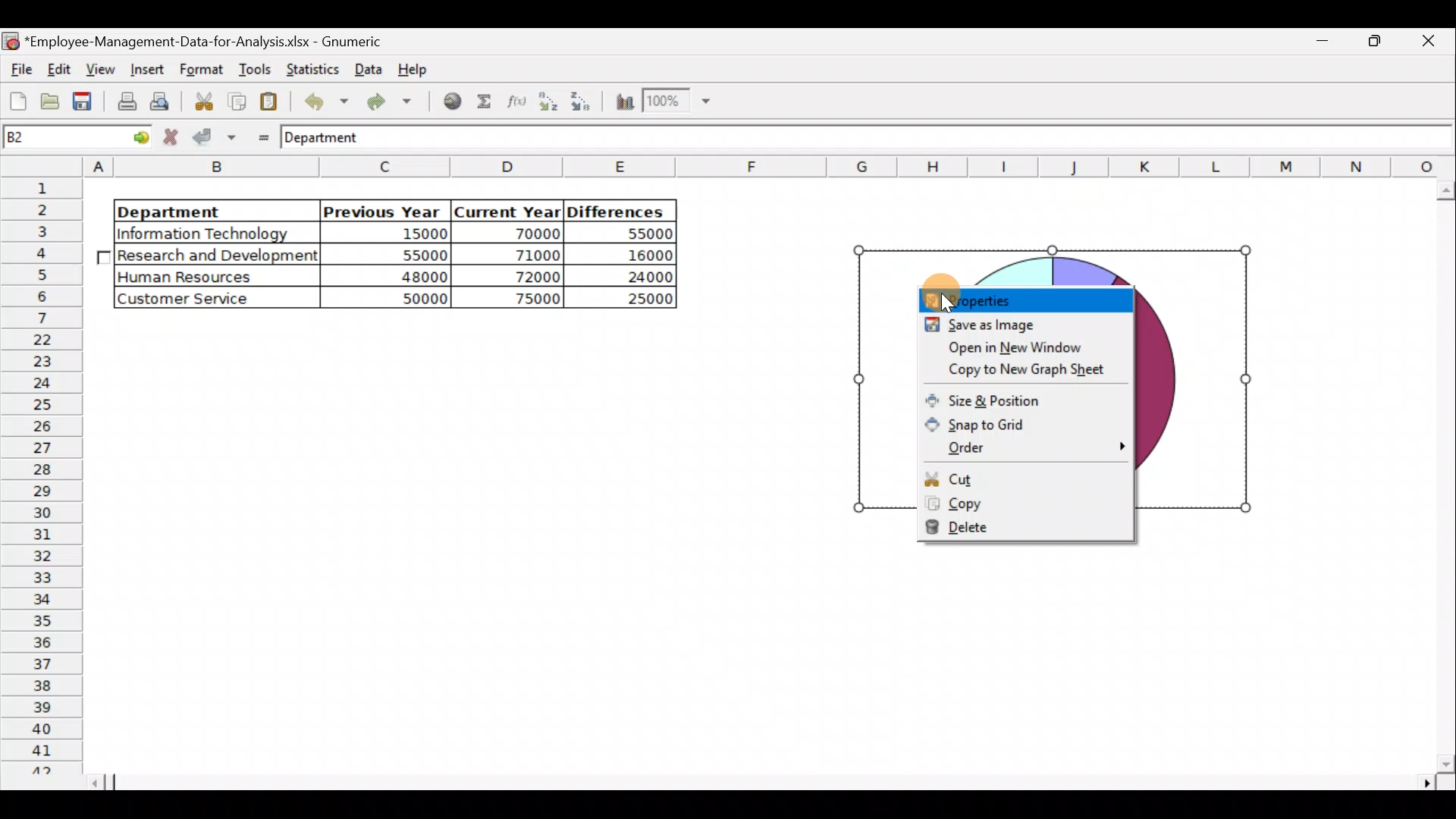  I want to click on Paste the clipboard, so click(272, 102).